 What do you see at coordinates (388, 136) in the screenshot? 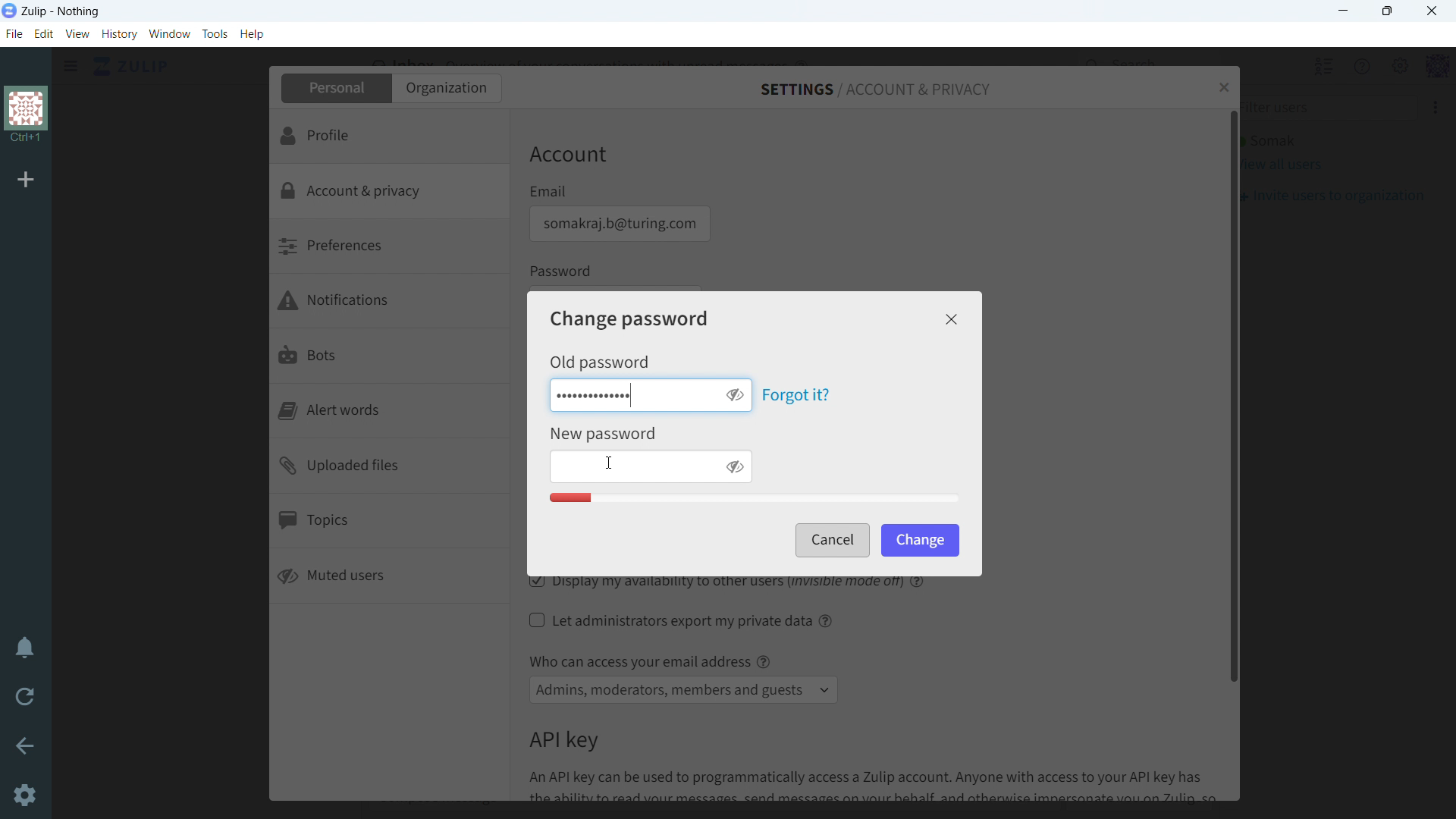
I see `profile` at bounding box center [388, 136].